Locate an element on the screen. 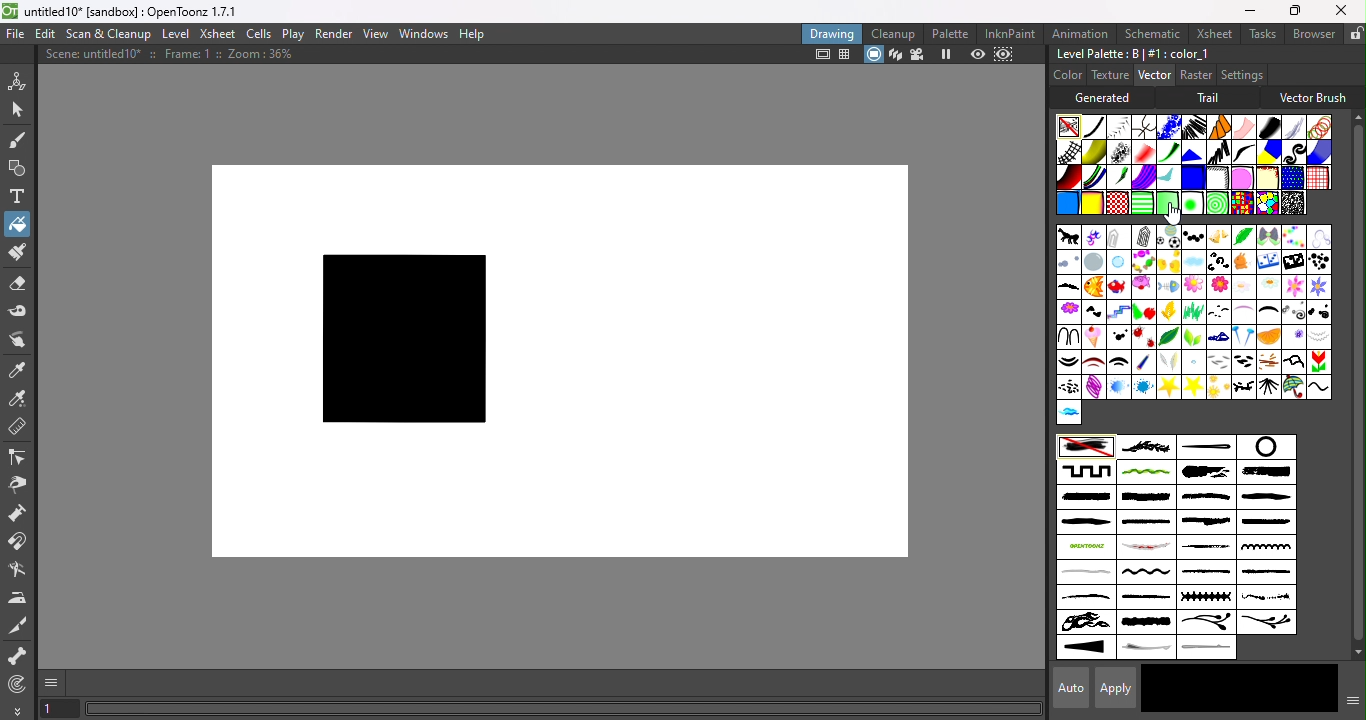  Linear gradient is located at coordinates (1167, 201).